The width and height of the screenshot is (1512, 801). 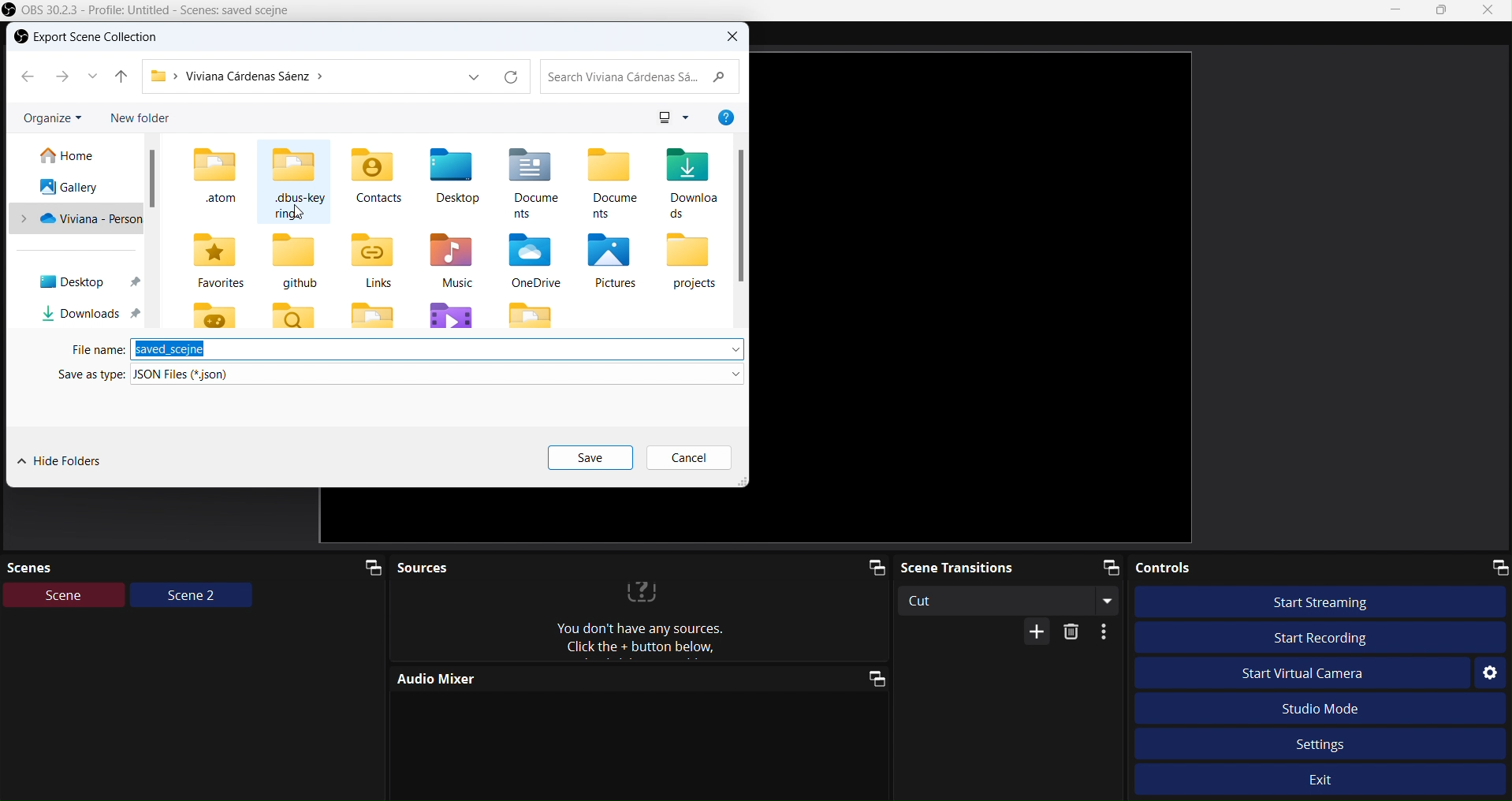 What do you see at coordinates (73, 188) in the screenshot?
I see `Gallery` at bounding box center [73, 188].